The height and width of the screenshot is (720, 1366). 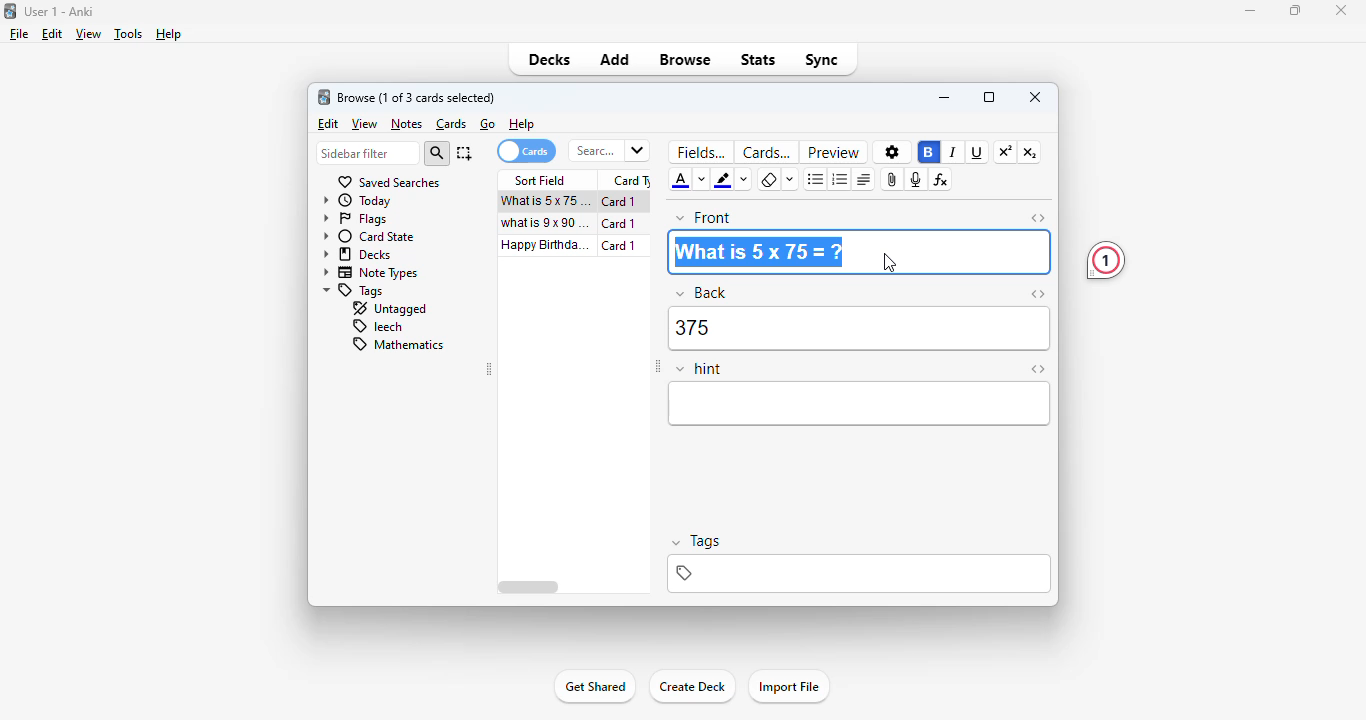 I want to click on What is 5 x 75=?, so click(x=756, y=252).